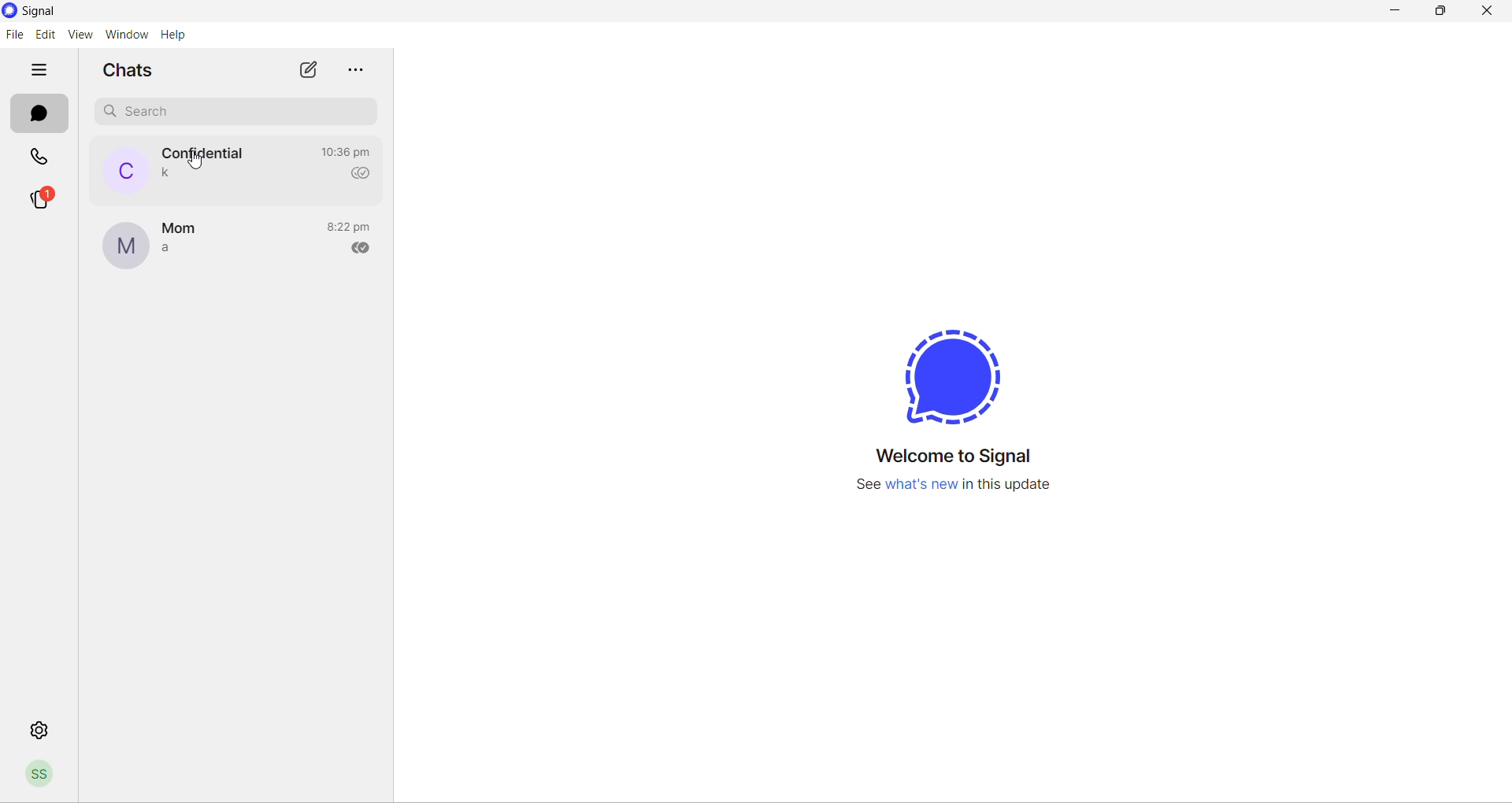 The height and width of the screenshot is (803, 1512). Describe the element at coordinates (185, 229) in the screenshot. I see `contact name` at that location.